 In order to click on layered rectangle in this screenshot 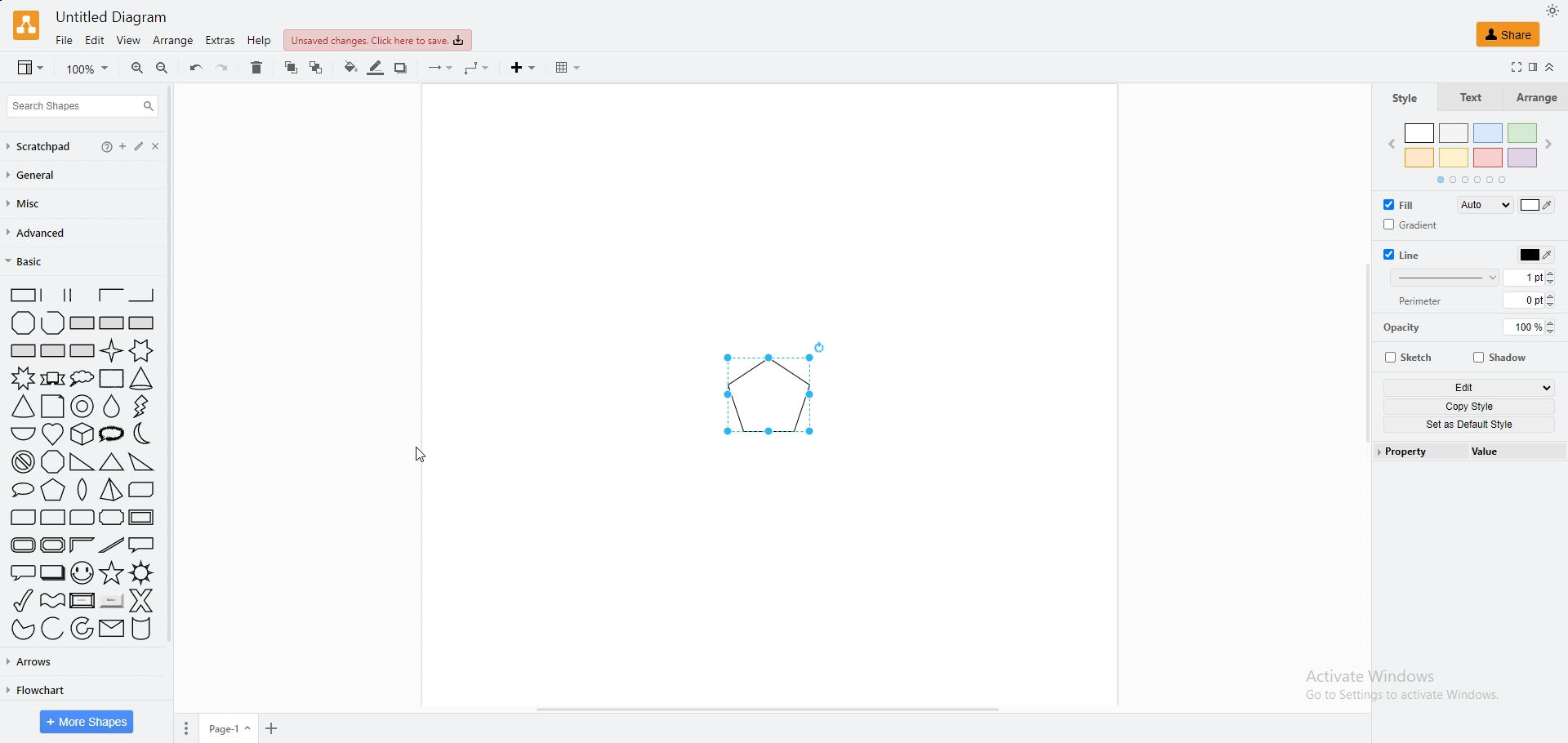, I will do `click(52, 572)`.